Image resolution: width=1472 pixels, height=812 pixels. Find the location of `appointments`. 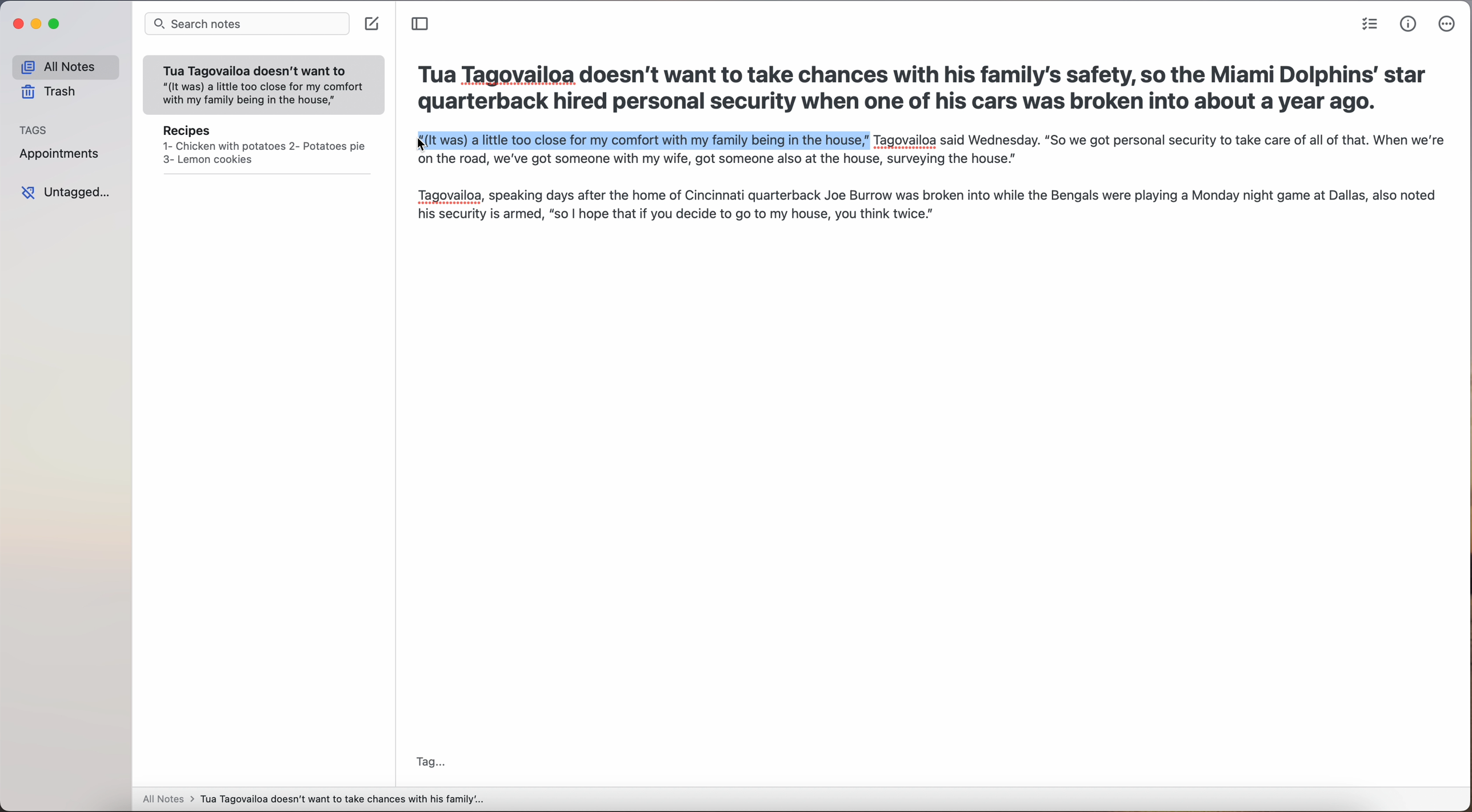

appointments is located at coordinates (63, 155).